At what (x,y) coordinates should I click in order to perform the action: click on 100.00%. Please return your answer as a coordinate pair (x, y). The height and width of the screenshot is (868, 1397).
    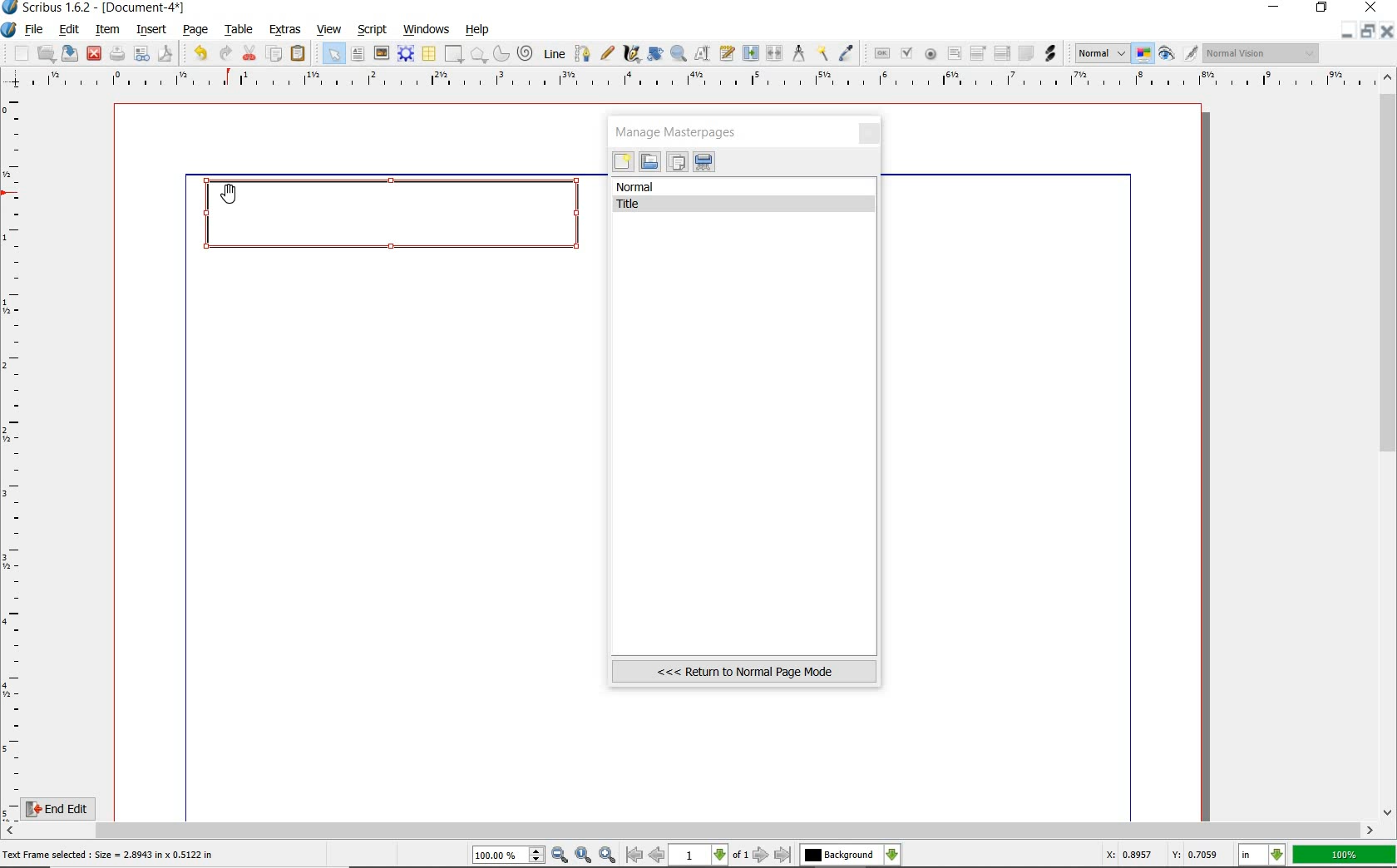
    Looking at the image, I should click on (510, 856).